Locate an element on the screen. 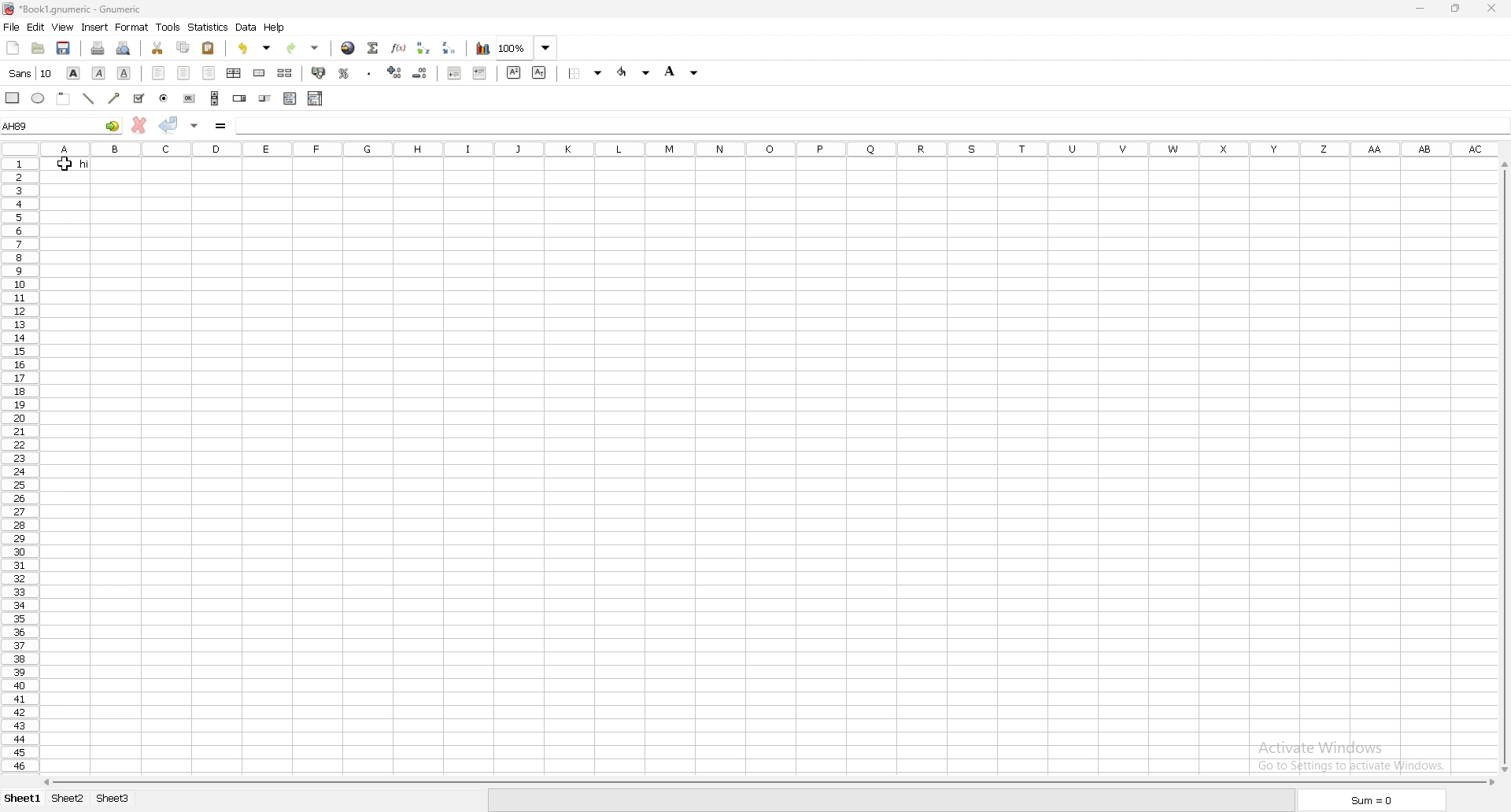 Image resolution: width=1511 pixels, height=812 pixels. close is located at coordinates (1491, 8).